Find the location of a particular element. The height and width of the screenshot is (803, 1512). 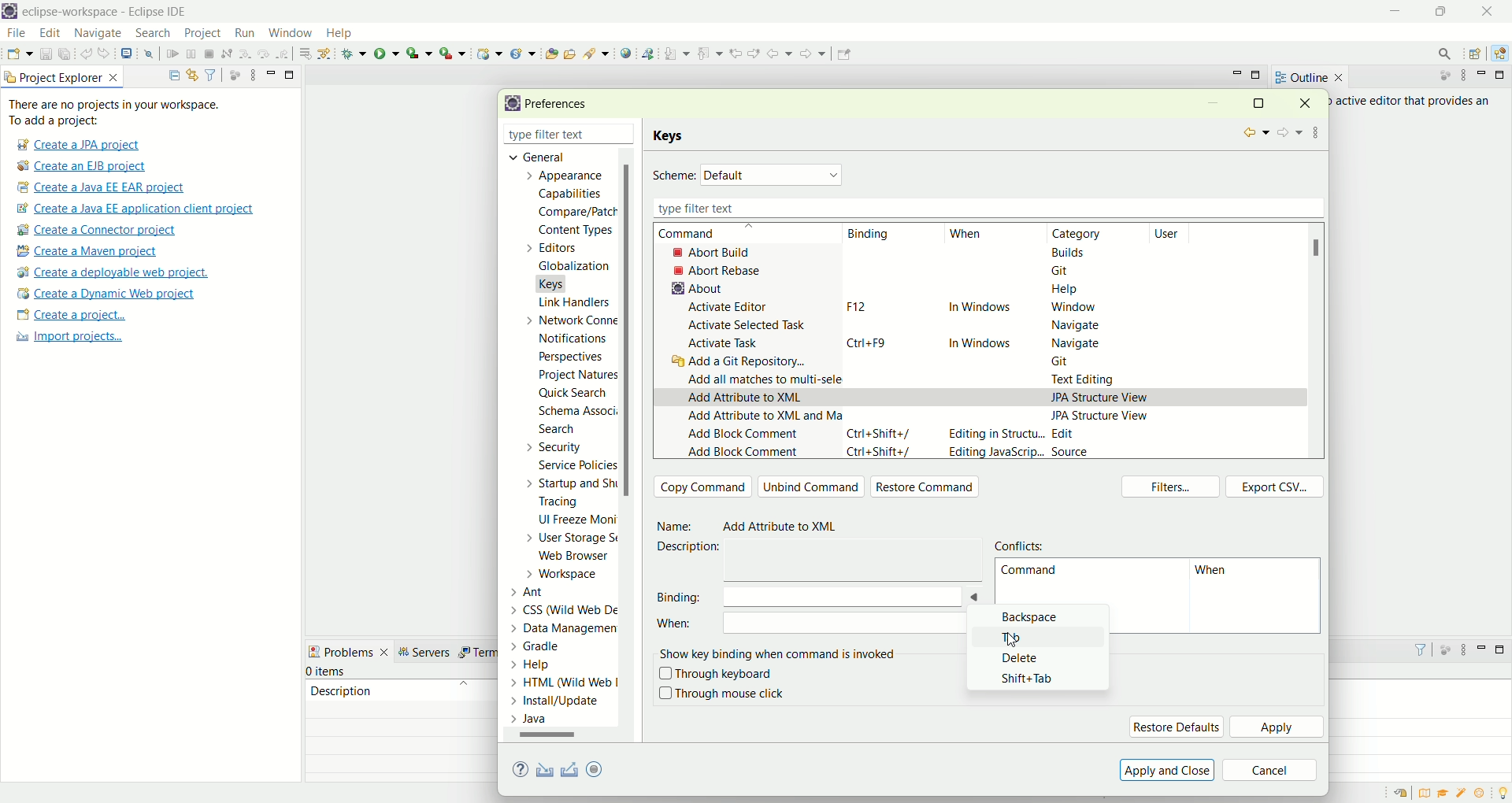

create a dynamic web project is located at coordinates (487, 52).